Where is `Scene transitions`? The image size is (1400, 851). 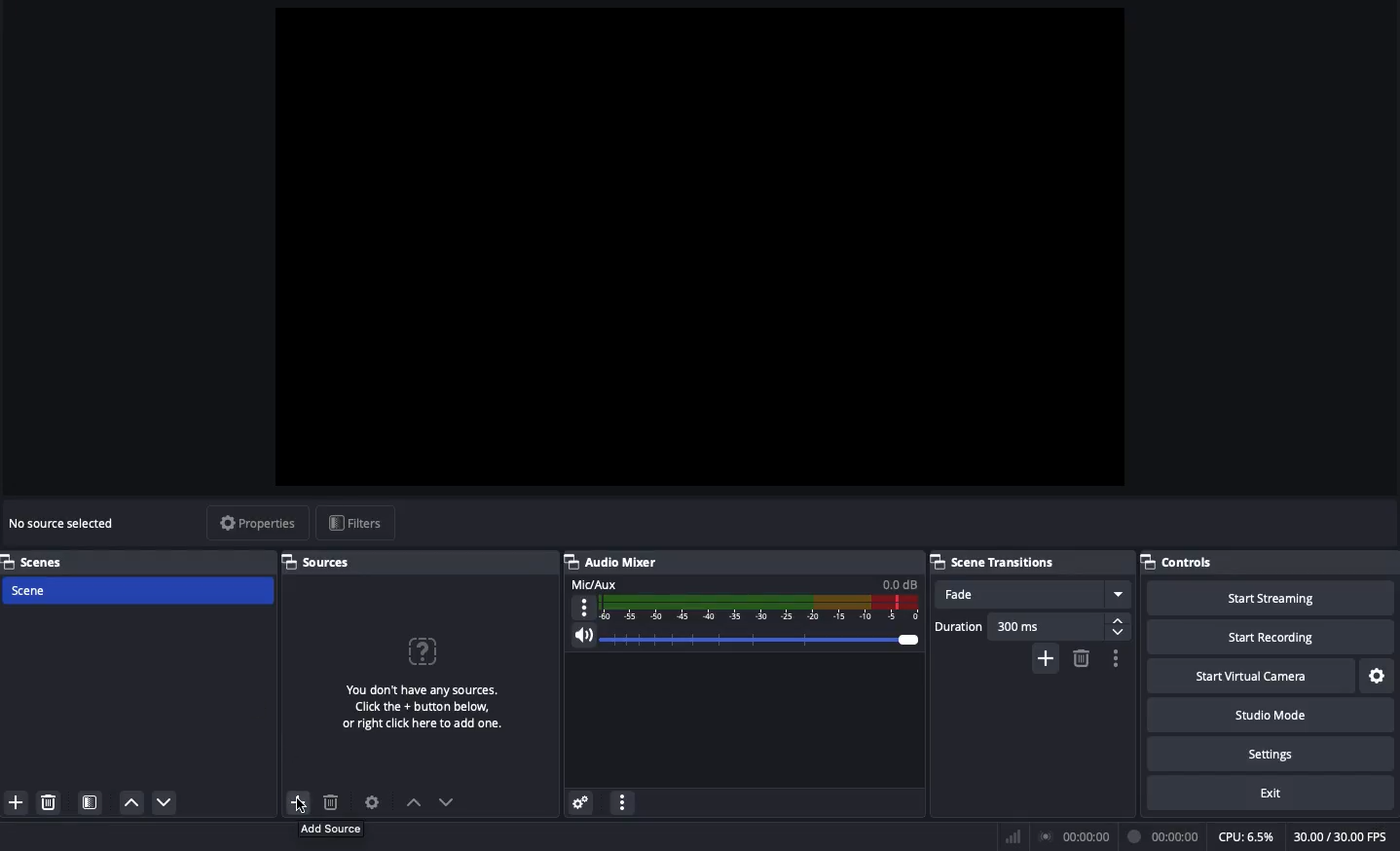
Scene transitions is located at coordinates (994, 563).